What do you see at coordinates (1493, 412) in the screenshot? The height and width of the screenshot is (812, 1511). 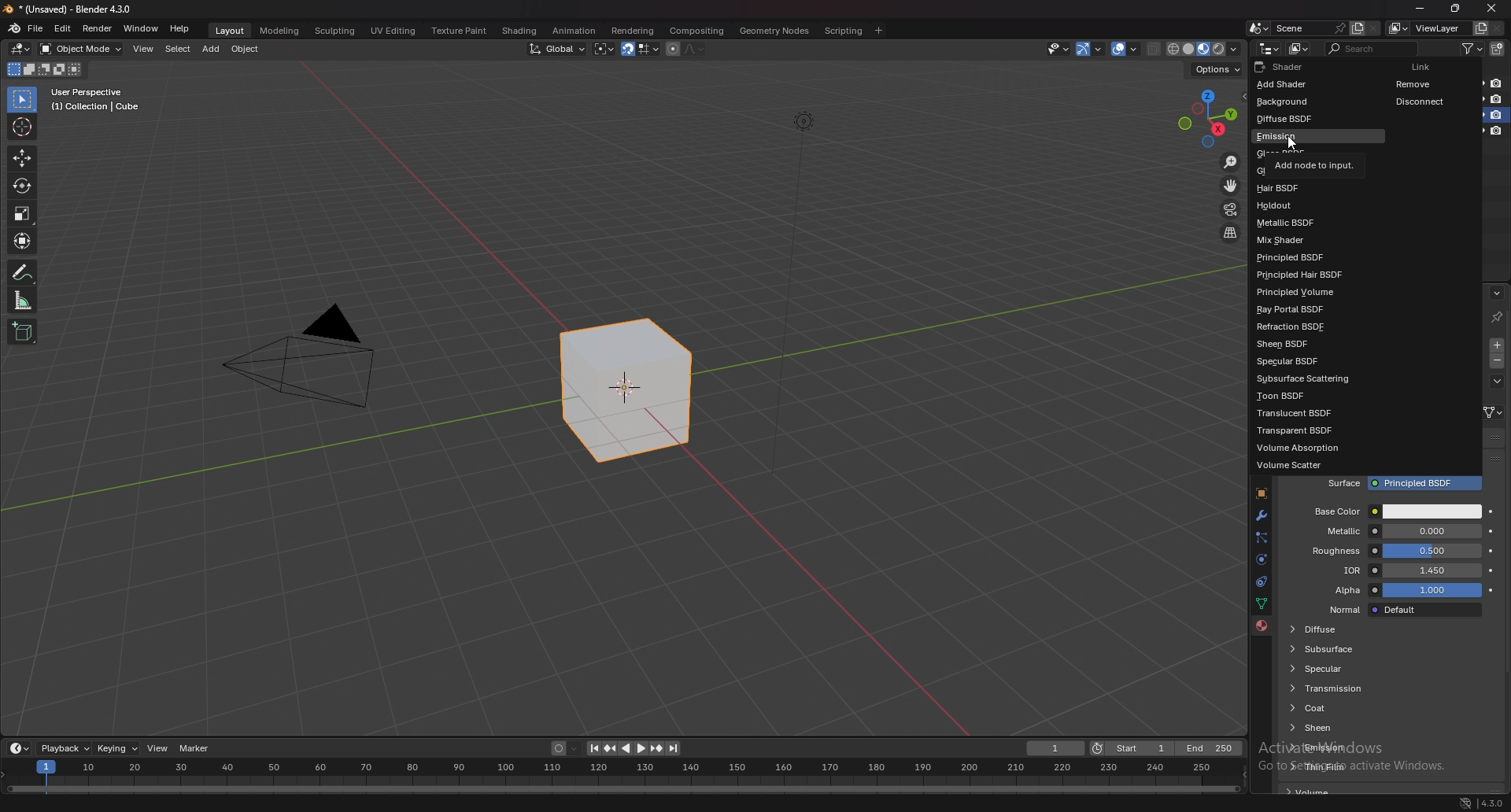 I see `link` at bounding box center [1493, 412].